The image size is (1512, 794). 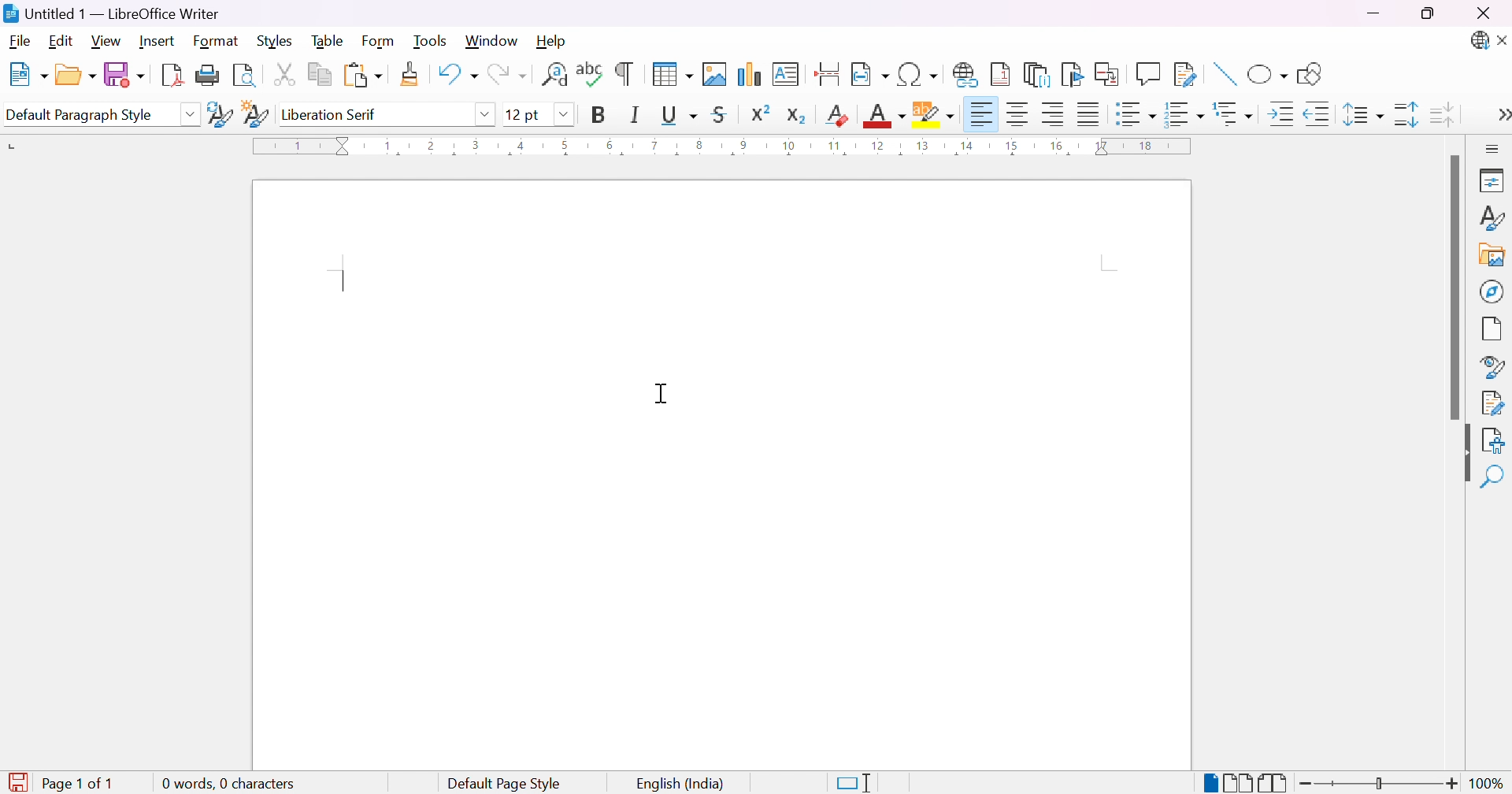 I want to click on Insert hyperlink, so click(x=966, y=74).